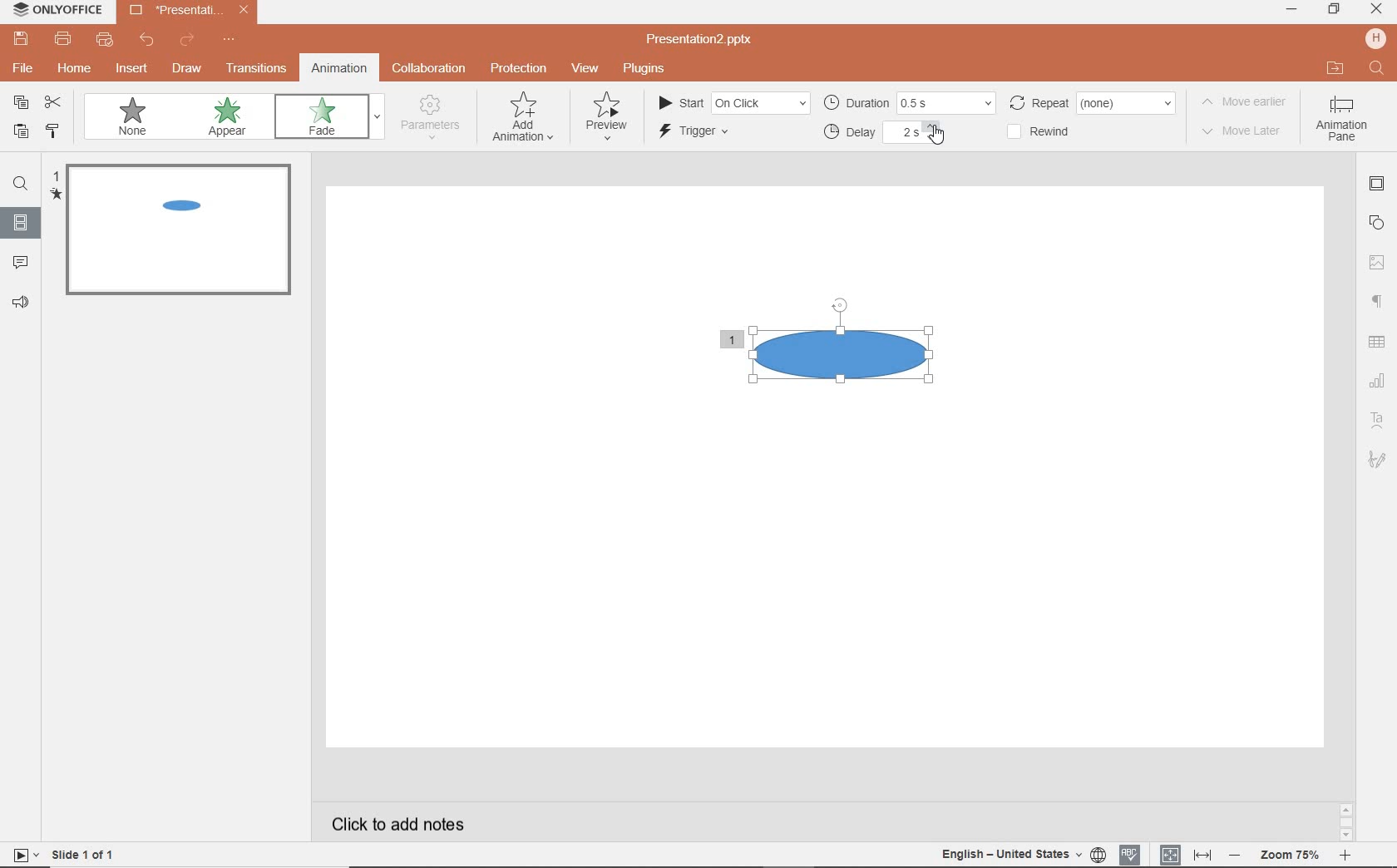 This screenshot has width=1397, height=868. What do you see at coordinates (1093, 102) in the screenshot?
I see `repeat` at bounding box center [1093, 102].